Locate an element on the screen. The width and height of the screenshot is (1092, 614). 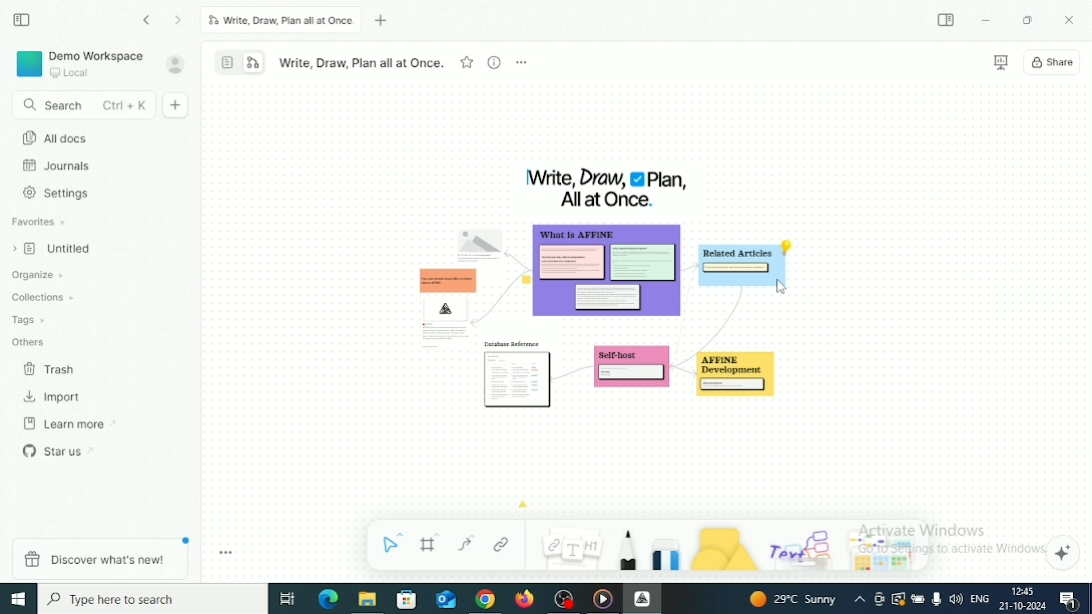
Mic is located at coordinates (936, 600).